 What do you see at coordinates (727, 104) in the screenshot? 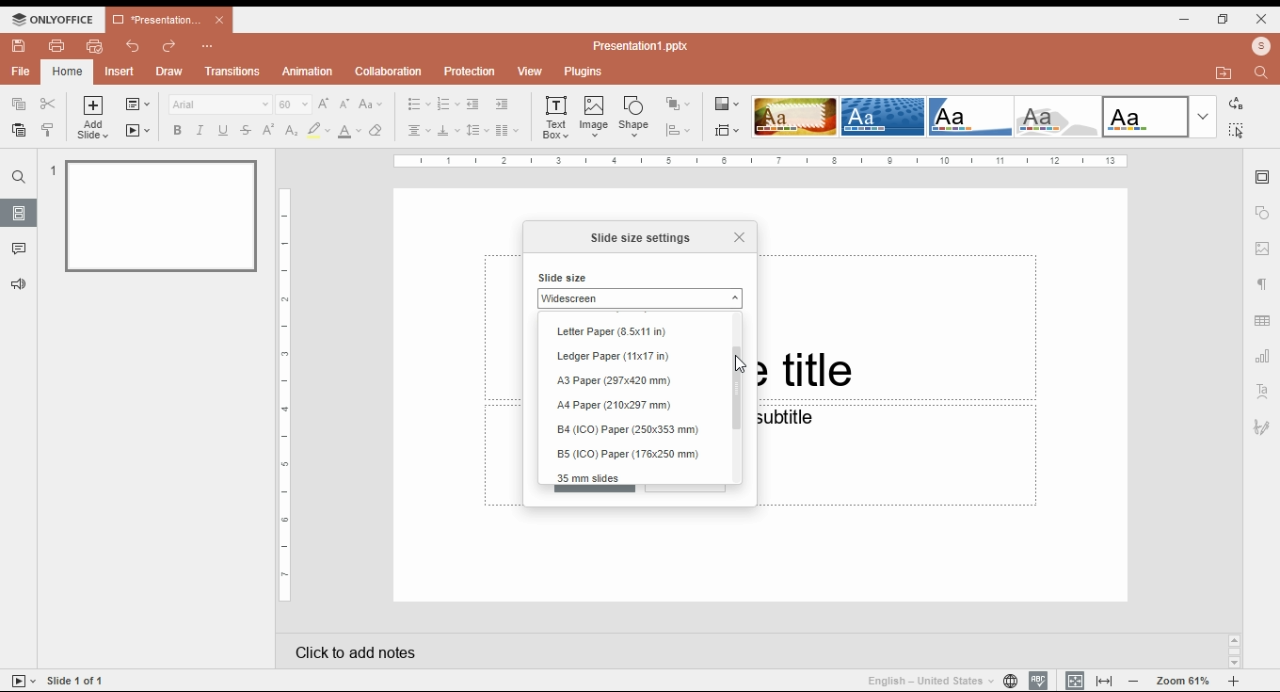
I see `change color theme` at bounding box center [727, 104].